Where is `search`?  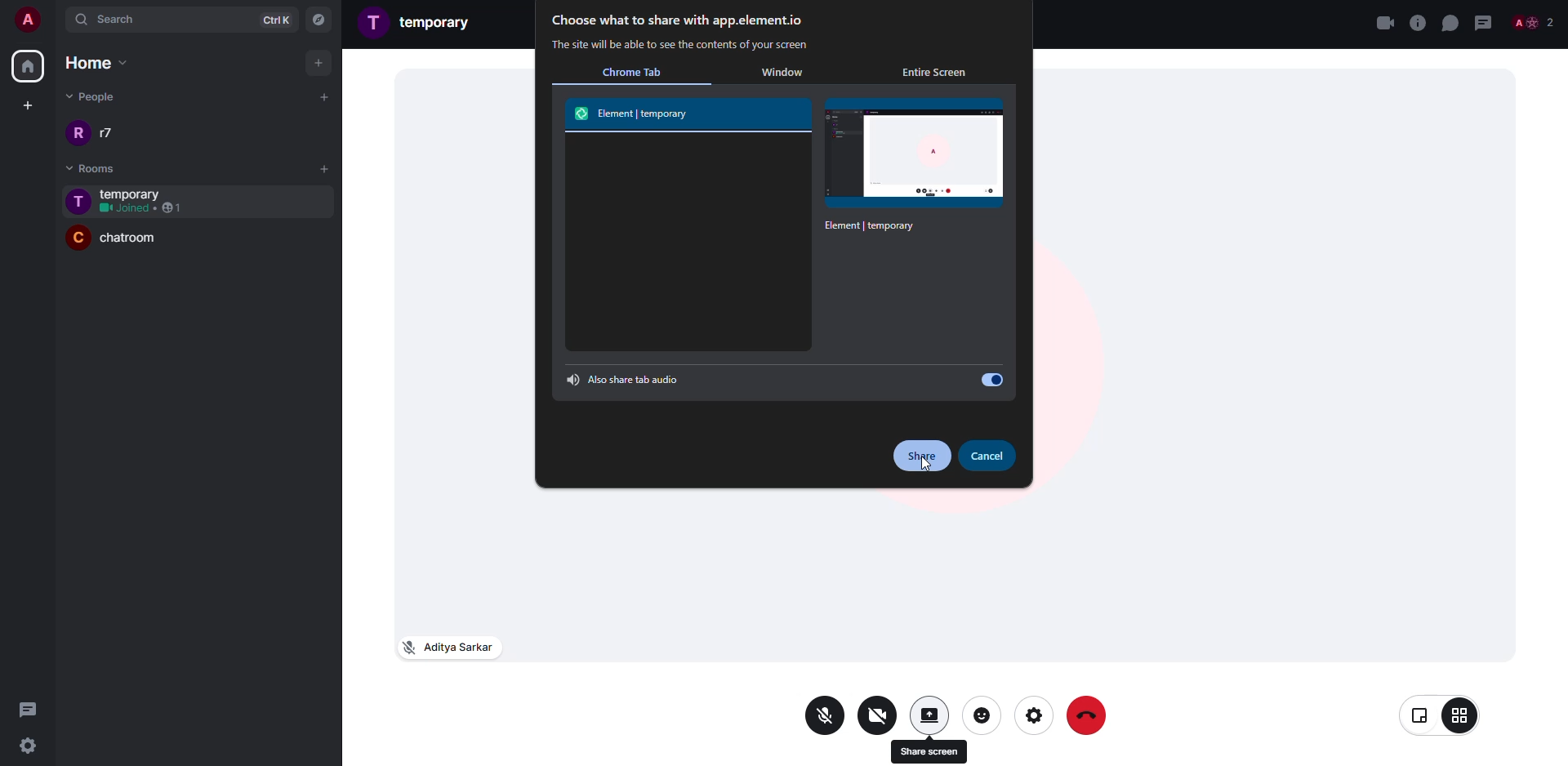 search is located at coordinates (140, 20).